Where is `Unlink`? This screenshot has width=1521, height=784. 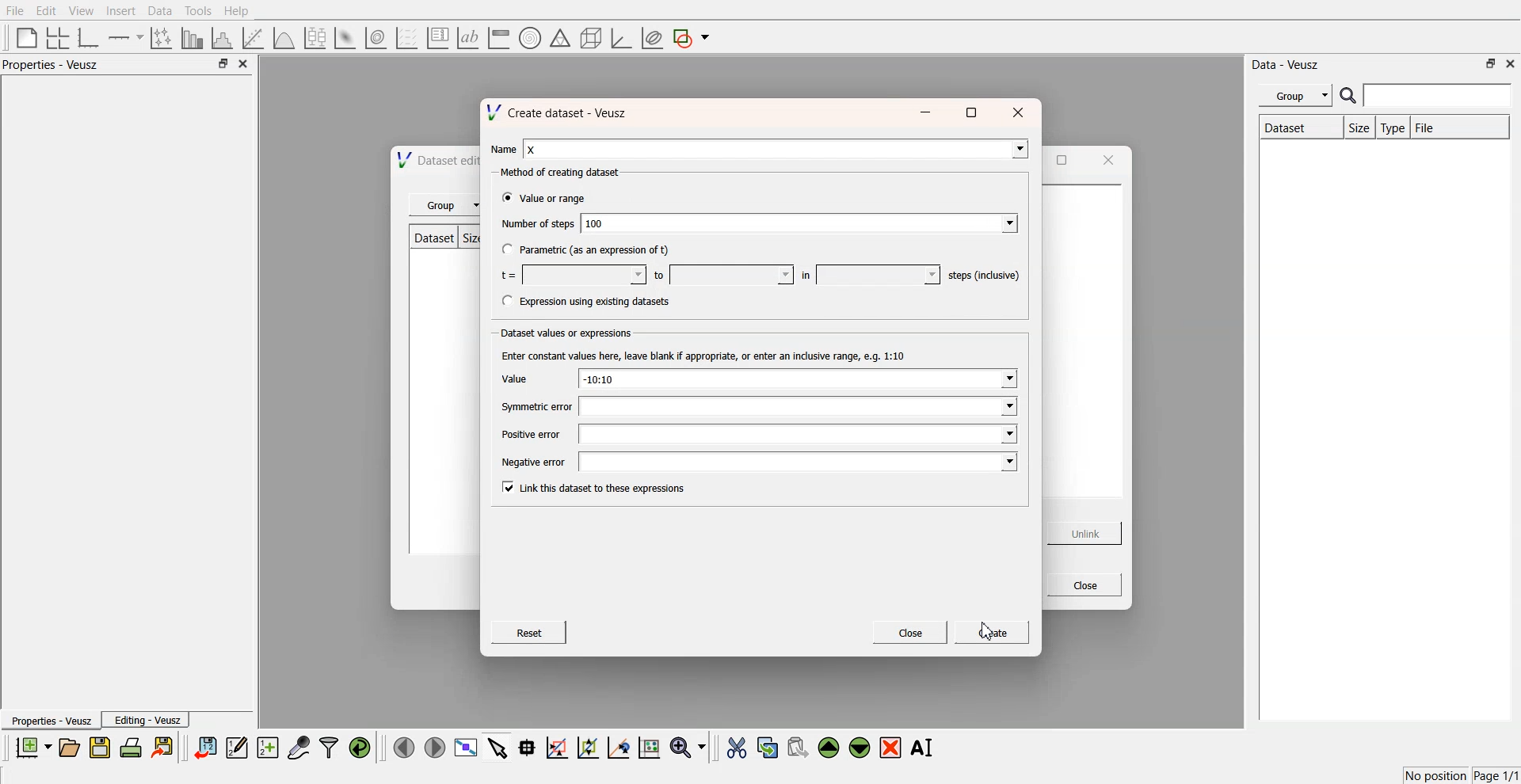 Unlink is located at coordinates (1086, 534).